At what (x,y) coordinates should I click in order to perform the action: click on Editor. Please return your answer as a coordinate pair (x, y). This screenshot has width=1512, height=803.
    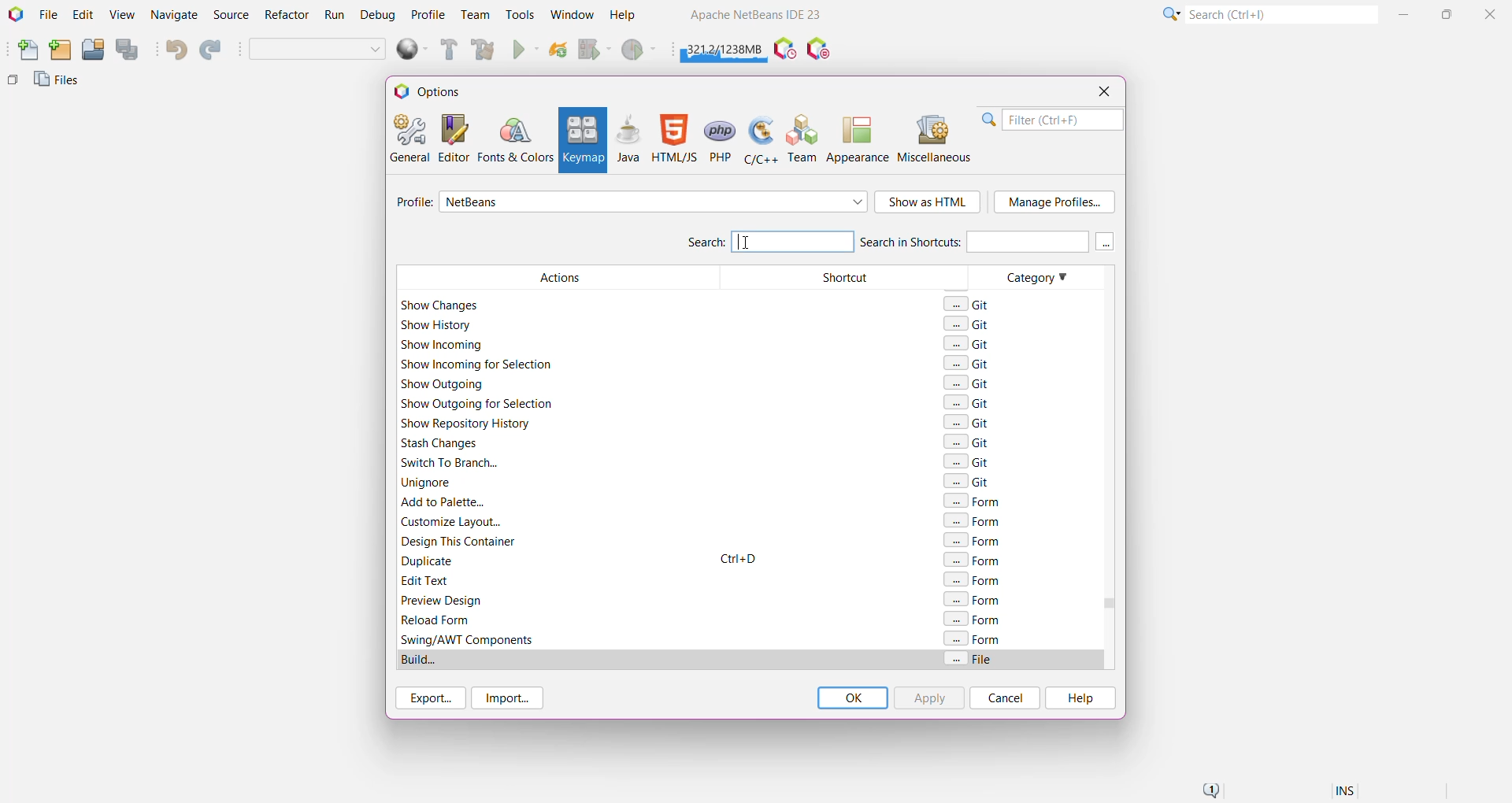
    Looking at the image, I should click on (450, 138).